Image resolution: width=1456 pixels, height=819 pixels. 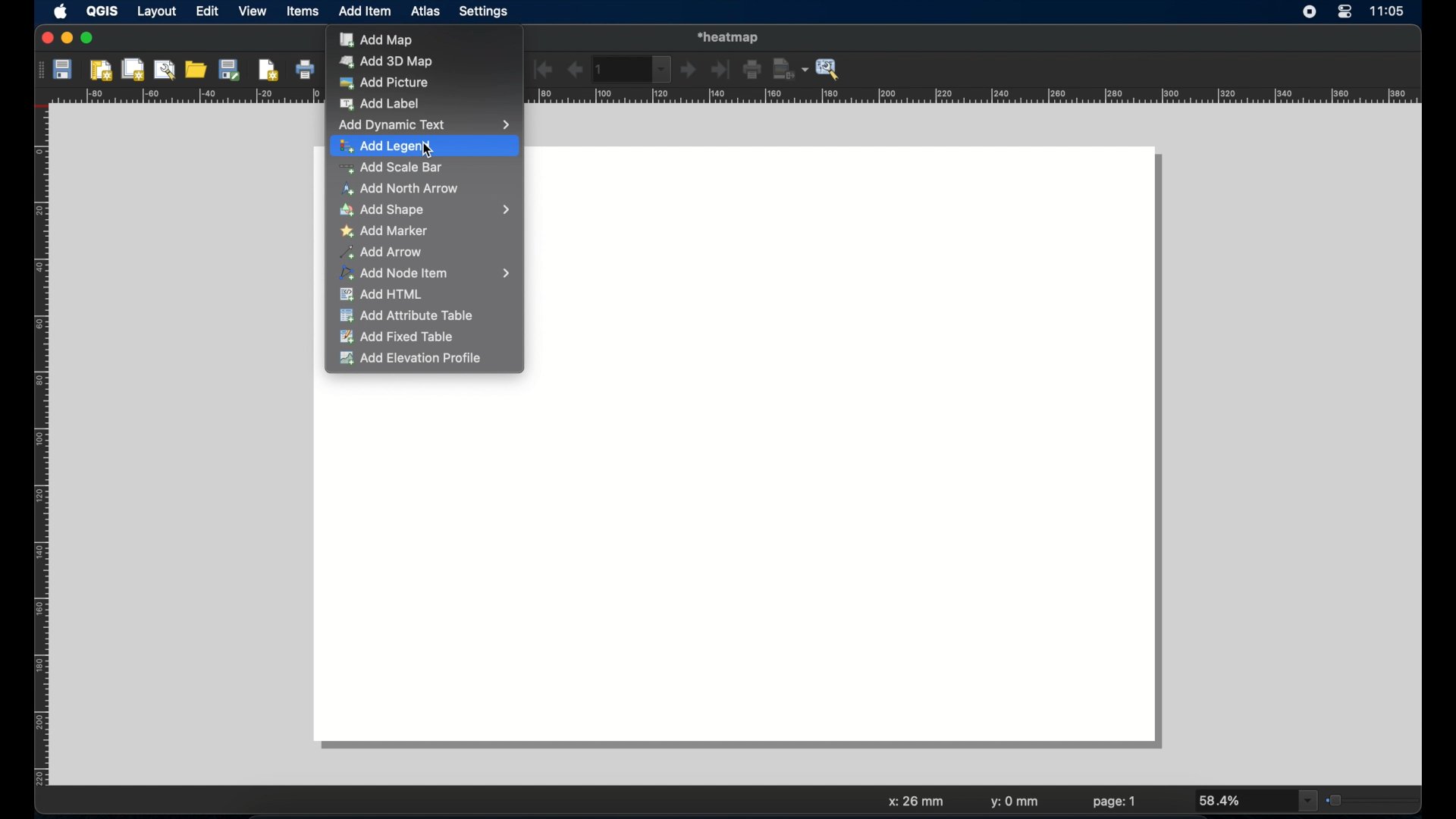 What do you see at coordinates (197, 69) in the screenshot?
I see `add items from template` at bounding box center [197, 69].